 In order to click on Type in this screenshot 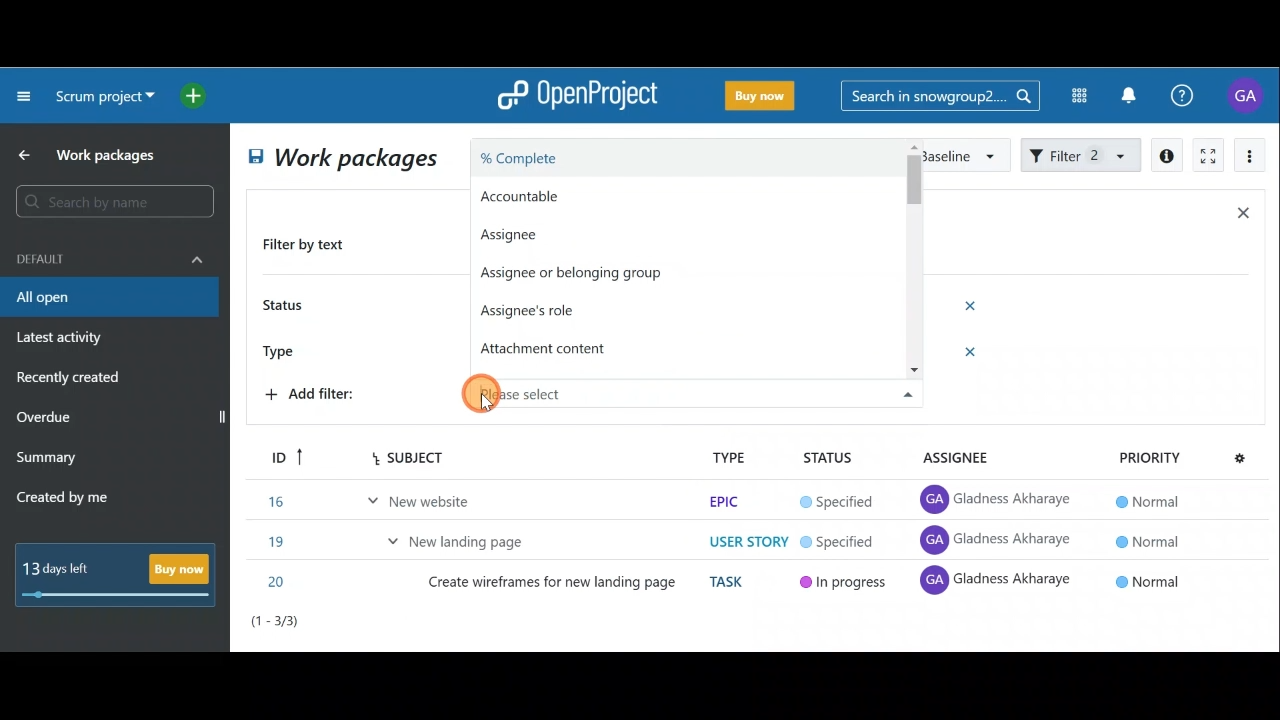, I will do `click(286, 349)`.